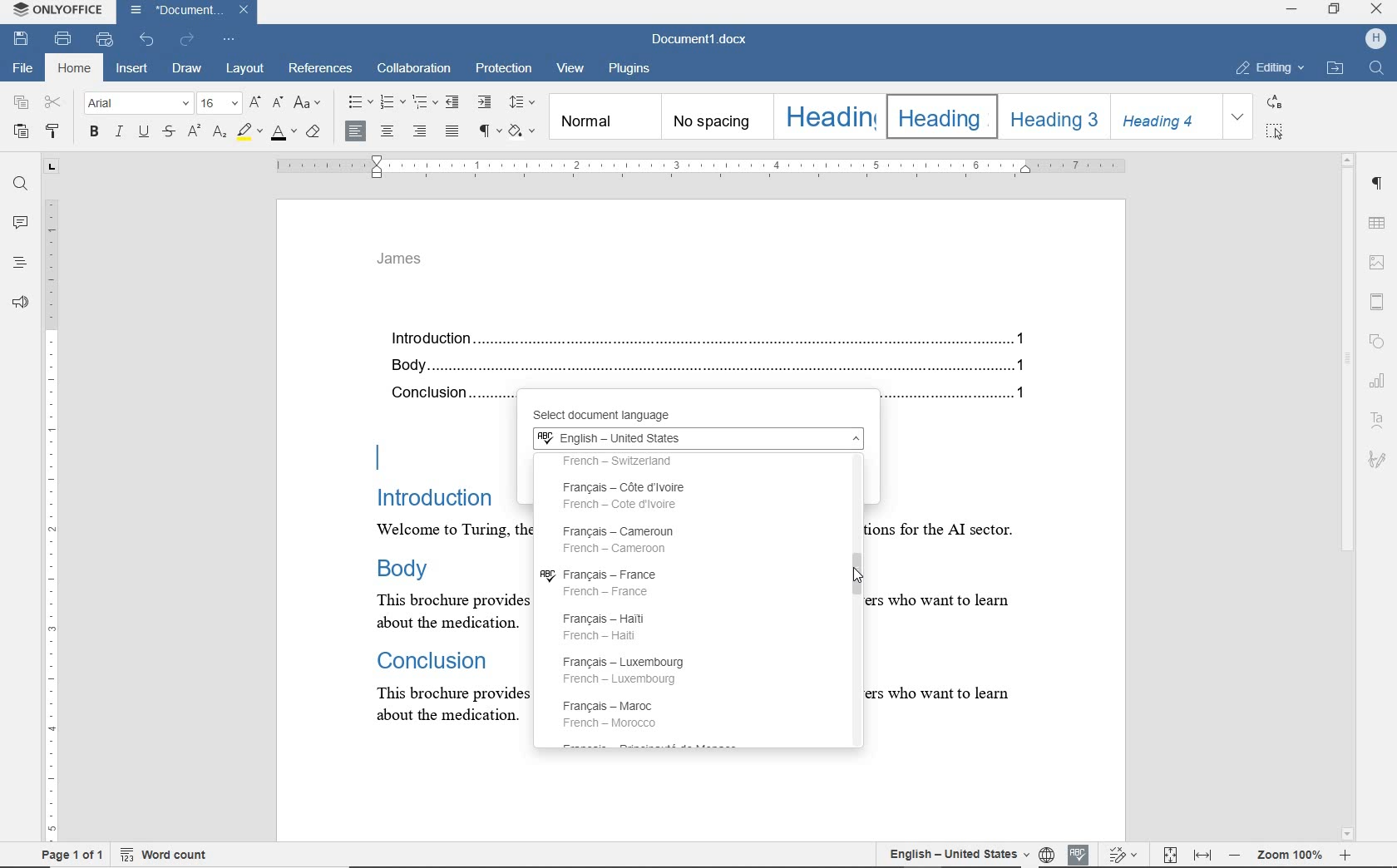  What do you see at coordinates (20, 185) in the screenshot?
I see `find` at bounding box center [20, 185].